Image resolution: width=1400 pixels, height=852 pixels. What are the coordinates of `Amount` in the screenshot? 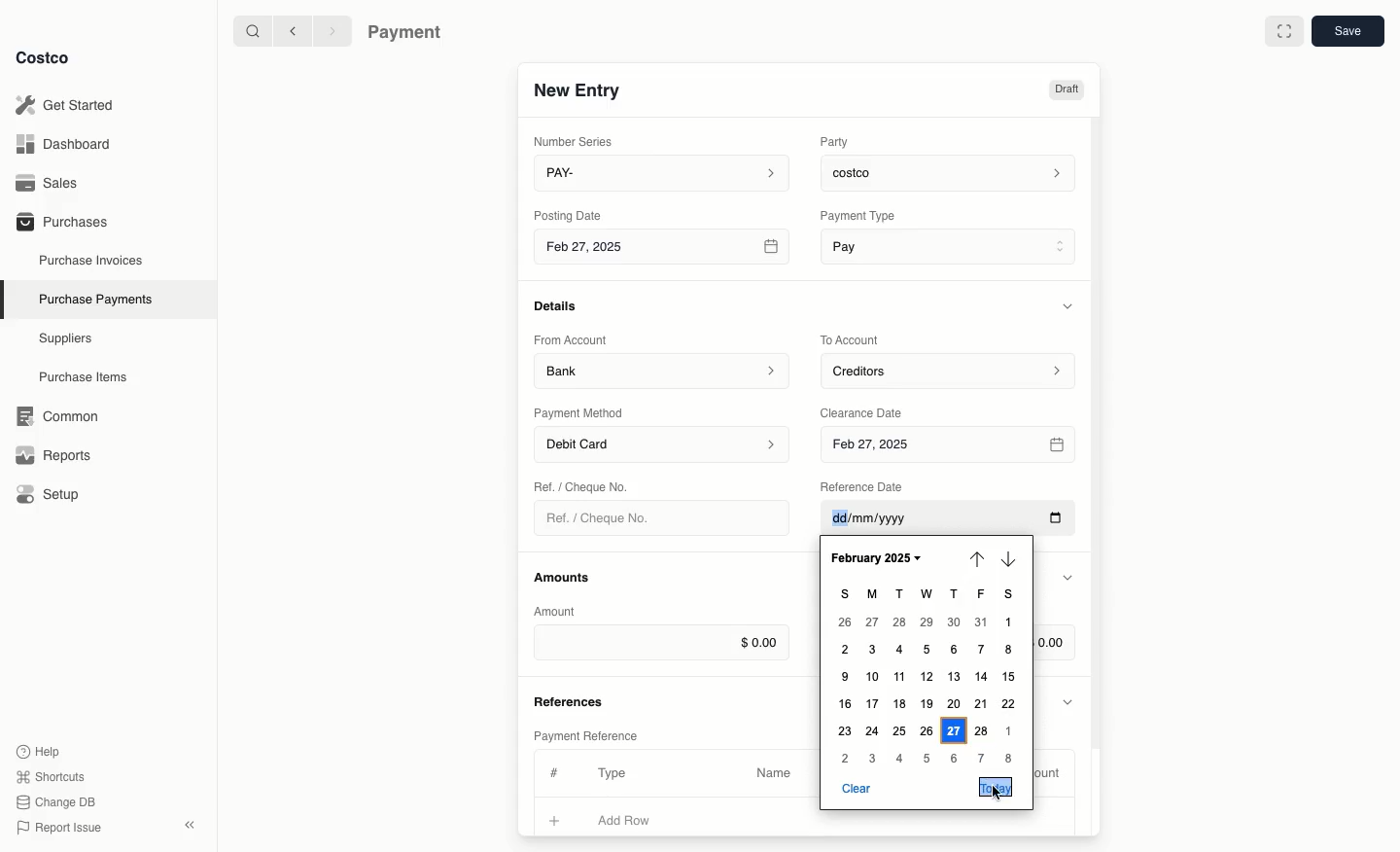 It's located at (558, 611).